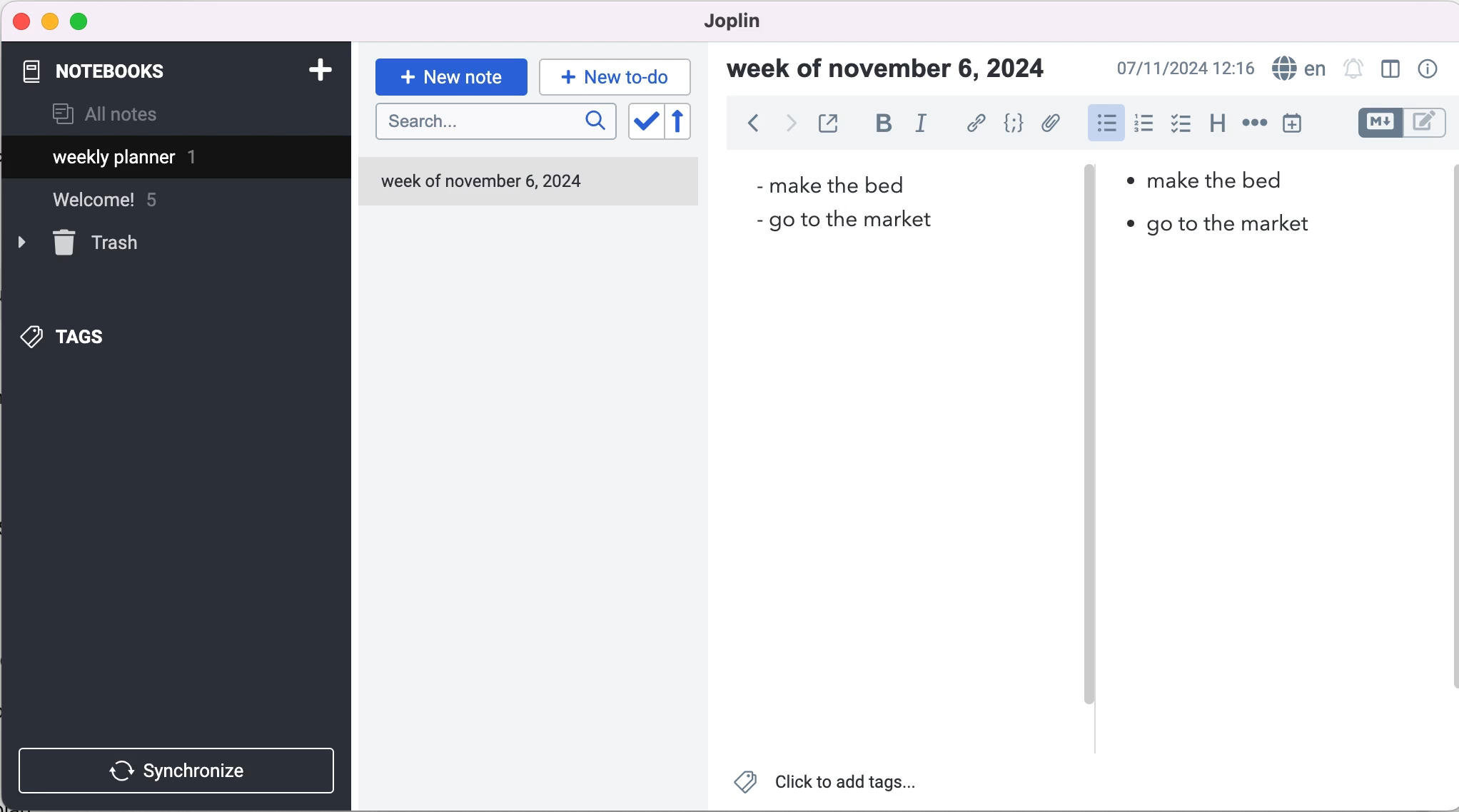 This screenshot has width=1459, height=812. I want to click on week of november 6, 2024, so click(894, 71).